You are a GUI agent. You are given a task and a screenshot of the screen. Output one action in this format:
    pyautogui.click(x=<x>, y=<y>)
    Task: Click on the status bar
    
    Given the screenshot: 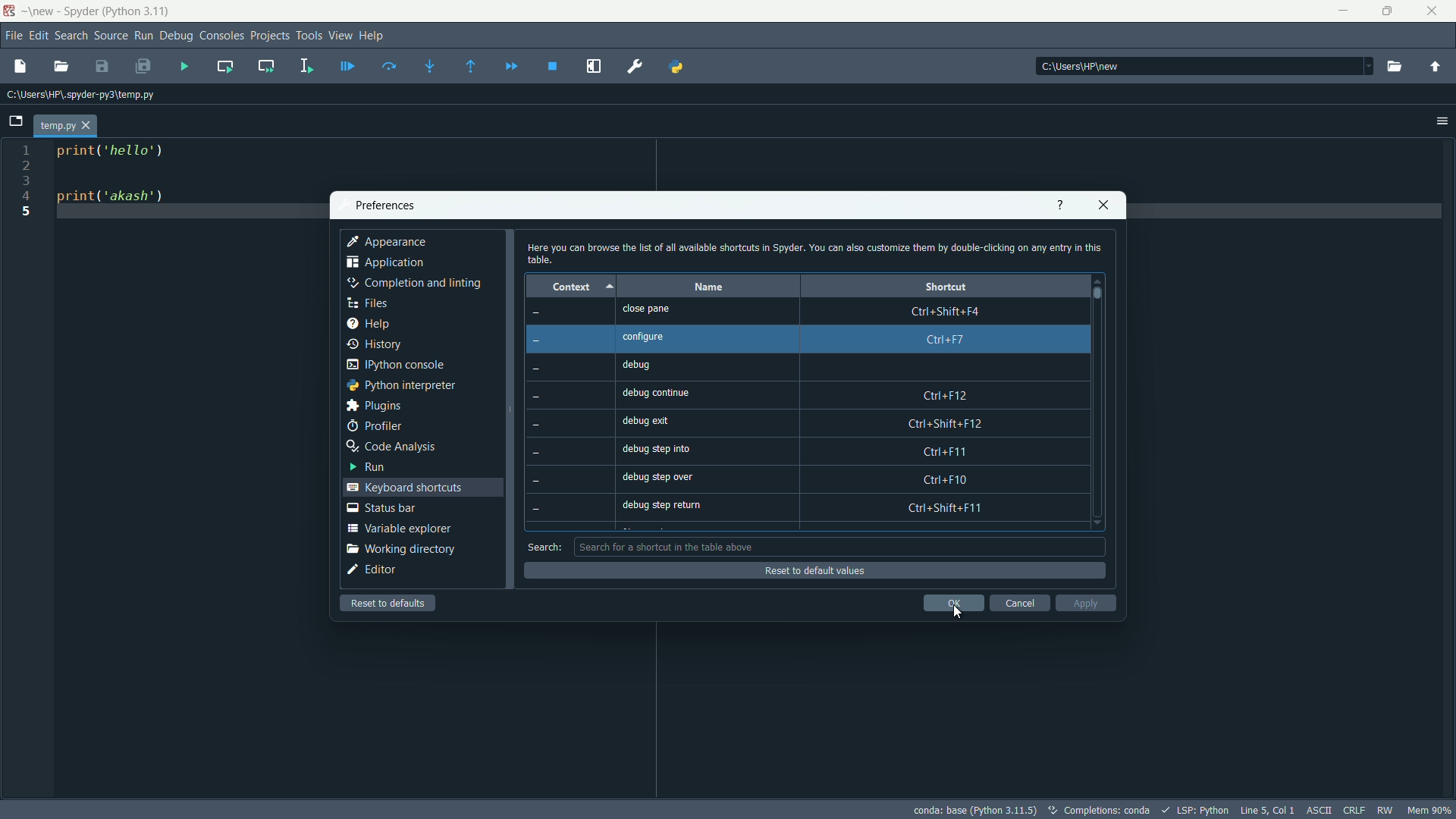 What is the action you would take?
    pyautogui.click(x=381, y=508)
    